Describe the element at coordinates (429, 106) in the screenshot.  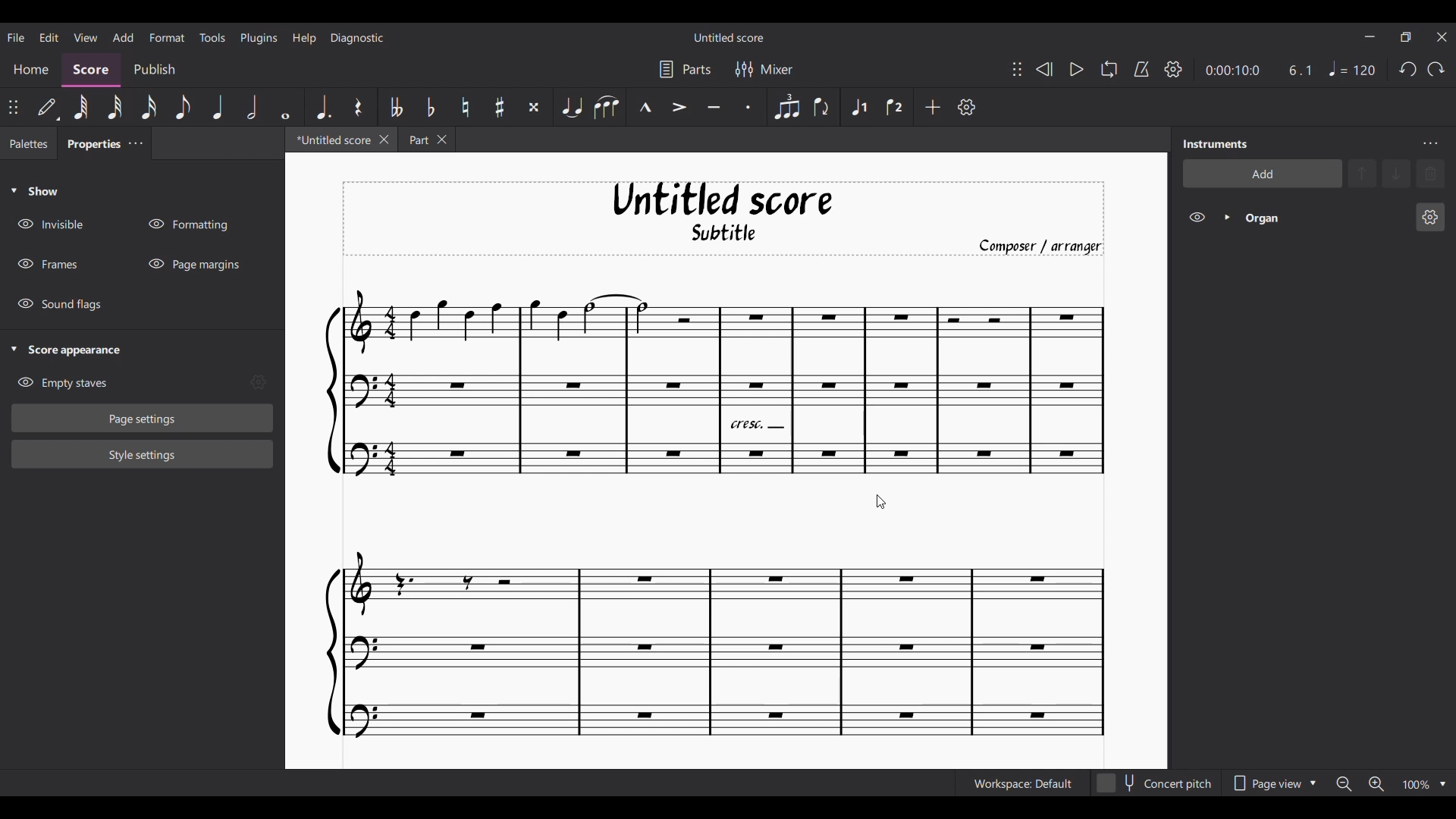
I see `Toggle flat` at that location.